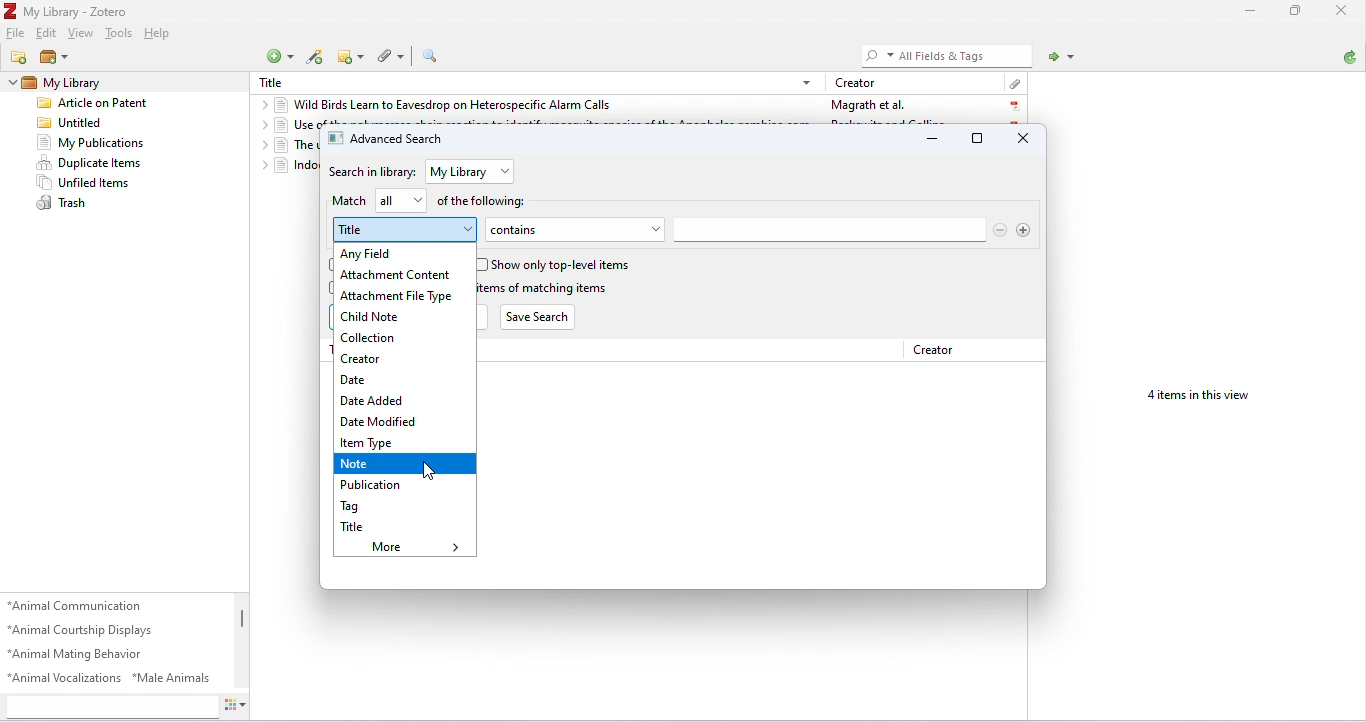  Describe the element at coordinates (386, 139) in the screenshot. I see `advanced search` at that location.